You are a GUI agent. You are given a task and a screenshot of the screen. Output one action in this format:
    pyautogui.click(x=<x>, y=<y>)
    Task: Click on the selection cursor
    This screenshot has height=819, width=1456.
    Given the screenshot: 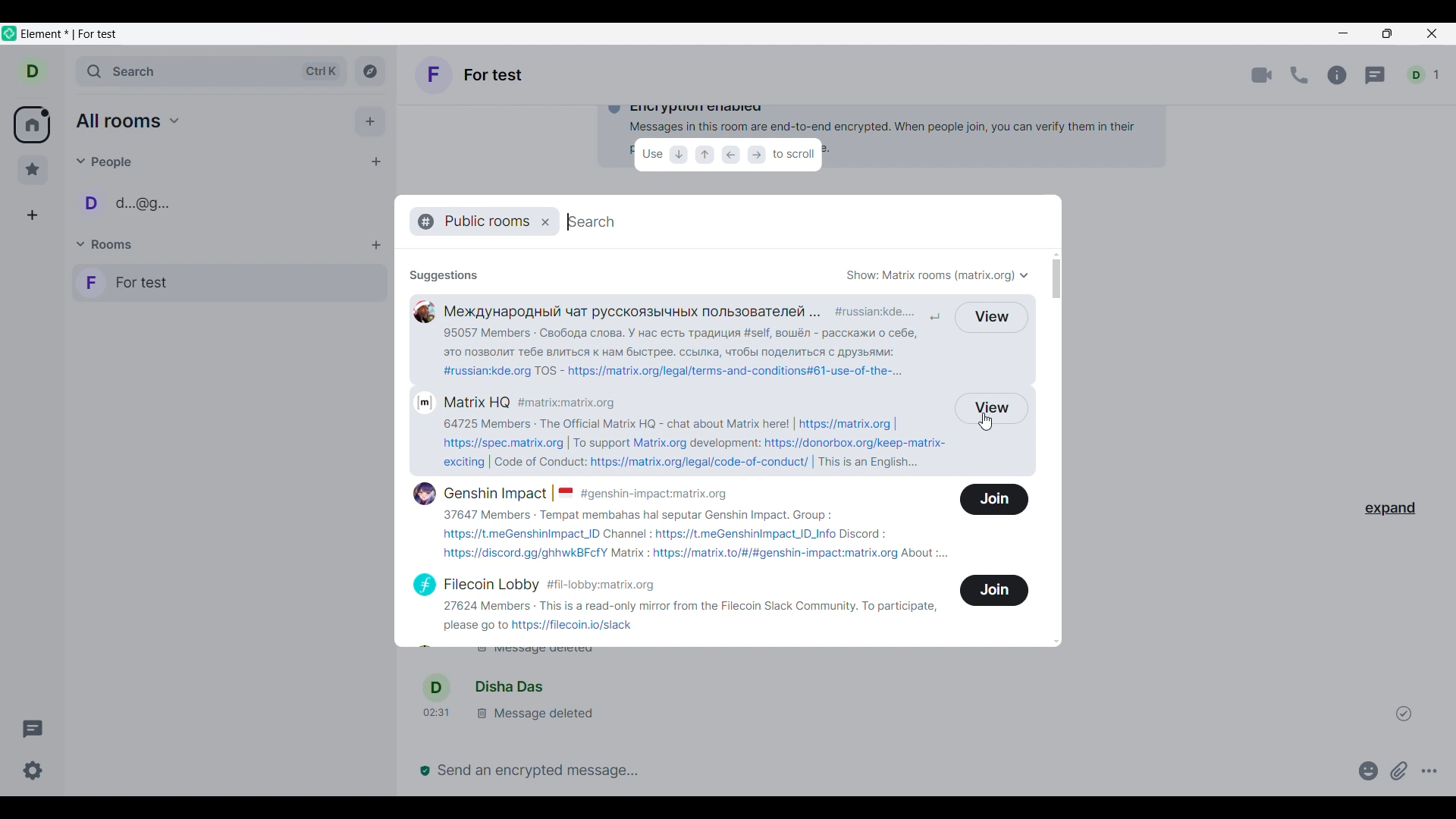 What is the action you would take?
    pyautogui.click(x=989, y=427)
    